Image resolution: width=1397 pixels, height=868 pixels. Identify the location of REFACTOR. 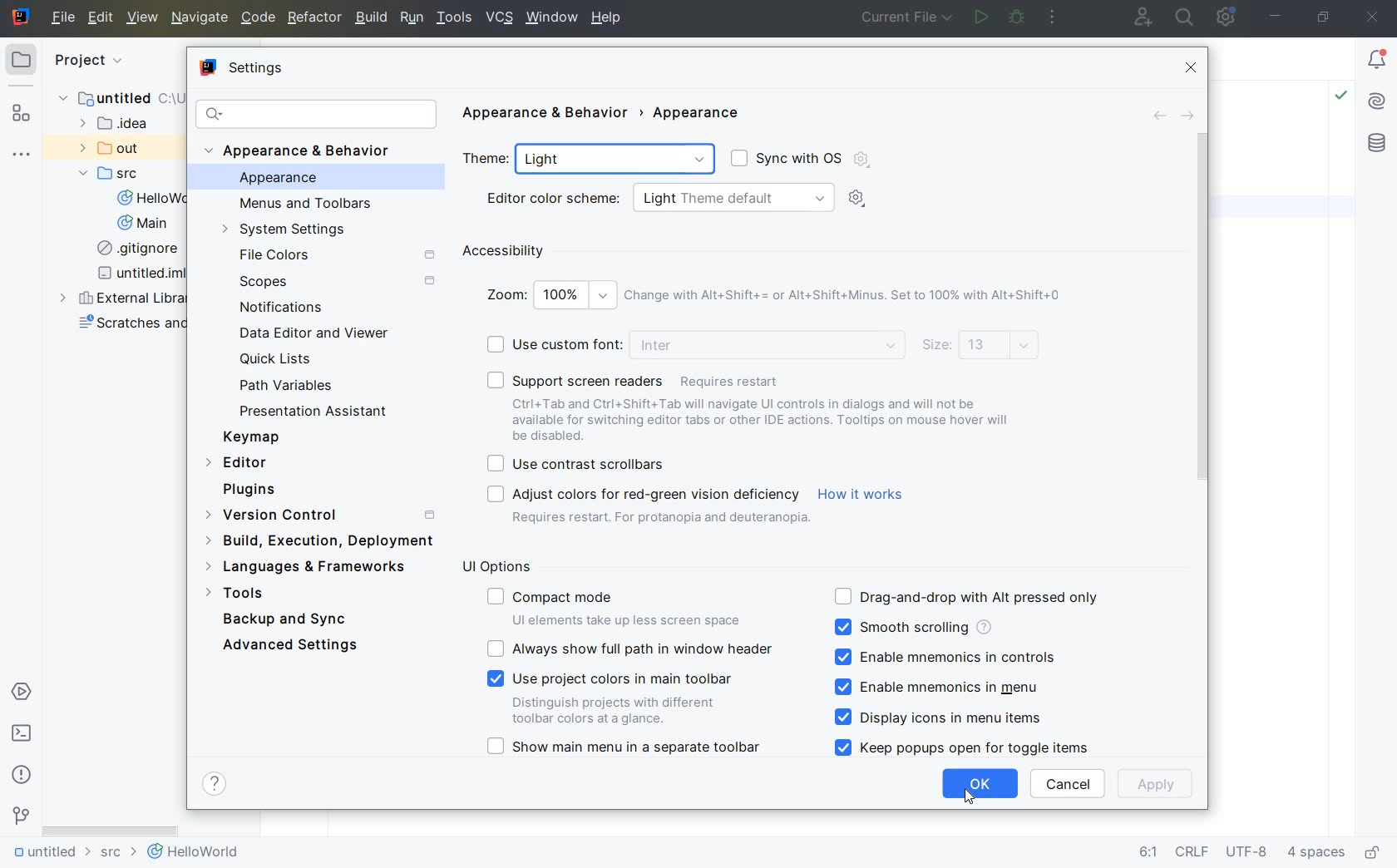
(316, 17).